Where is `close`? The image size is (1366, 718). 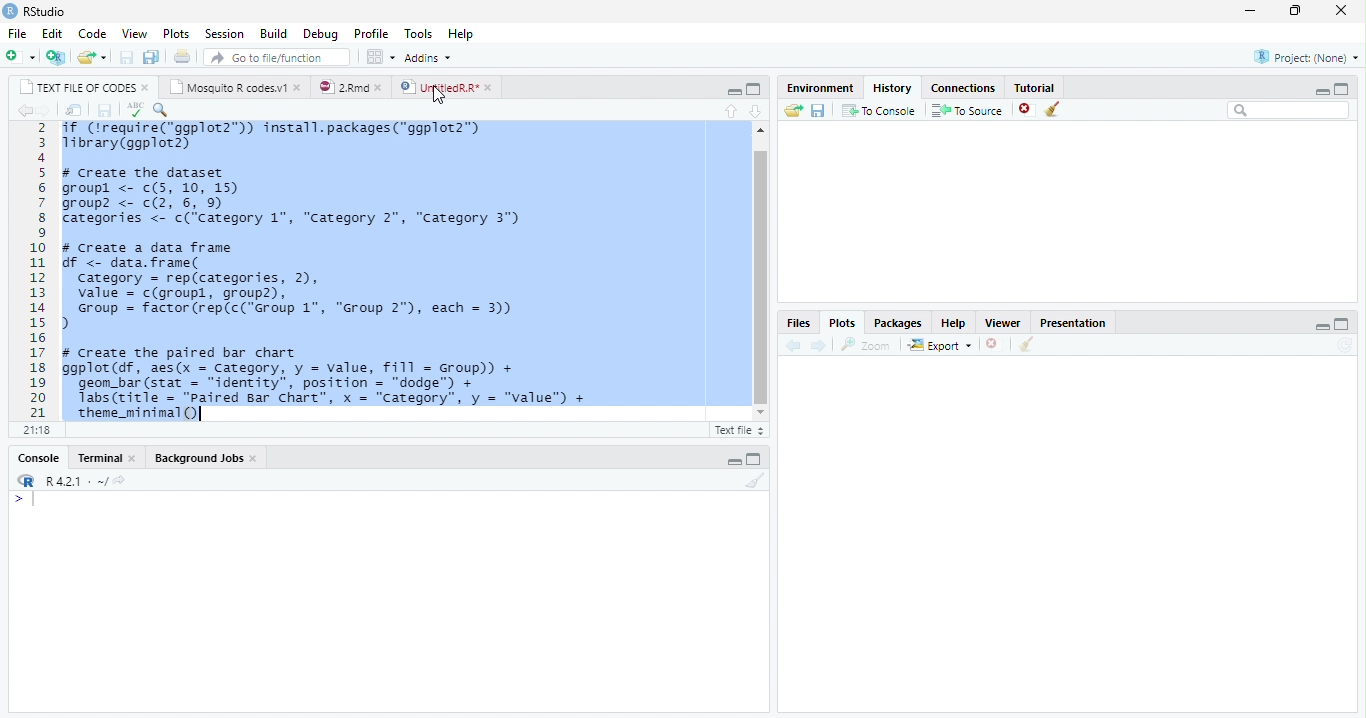
close is located at coordinates (489, 88).